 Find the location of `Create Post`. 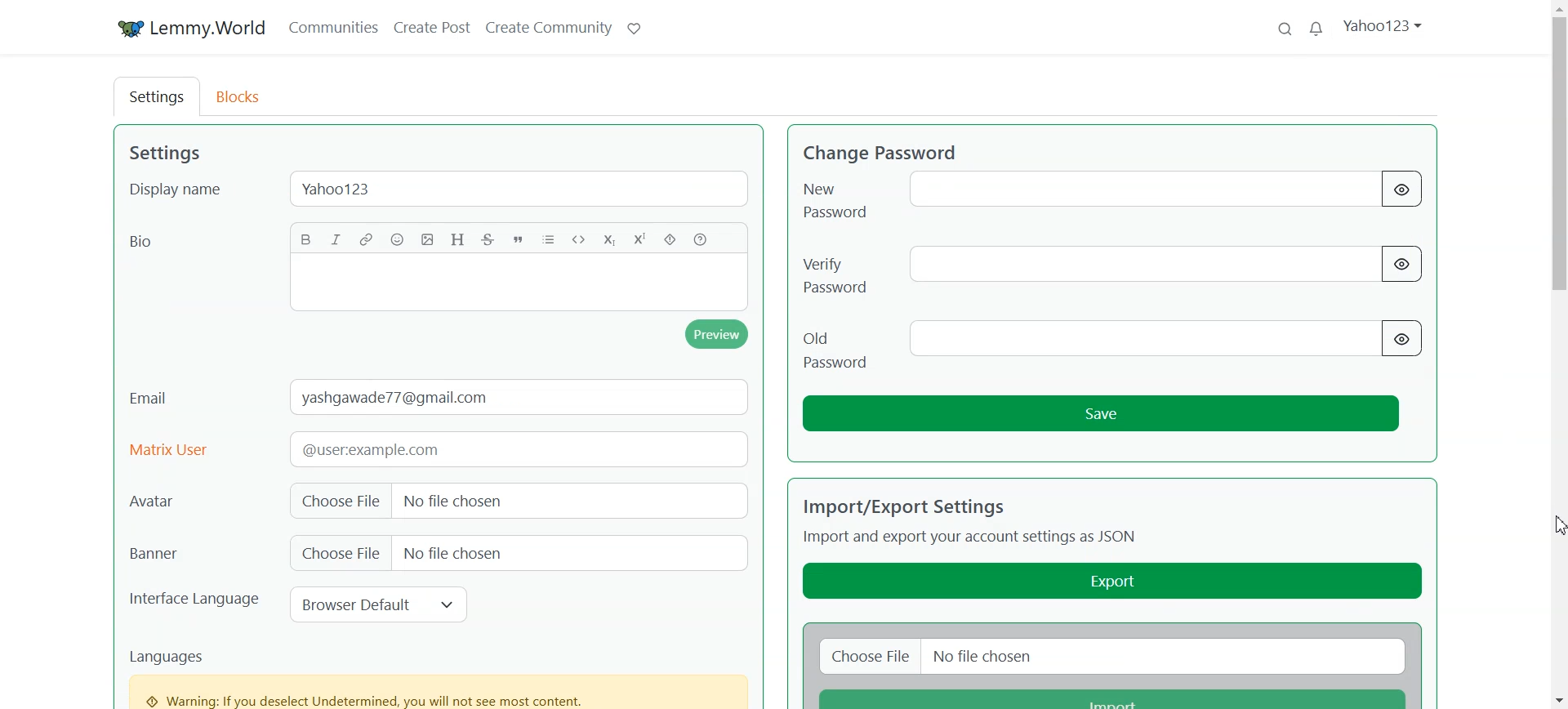

Create Post is located at coordinates (434, 26).